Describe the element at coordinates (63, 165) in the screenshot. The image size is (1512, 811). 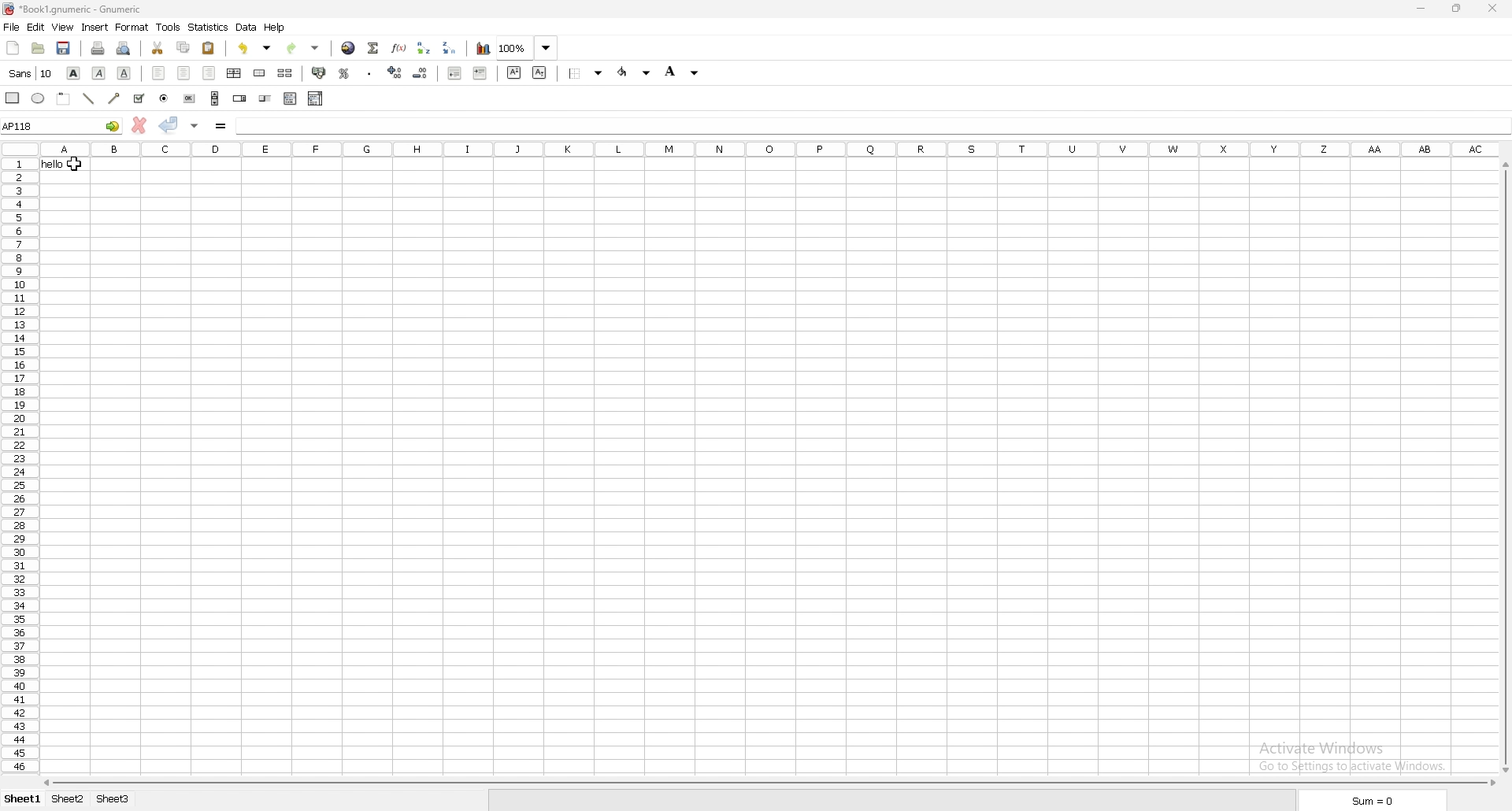
I see `cell` at that location.